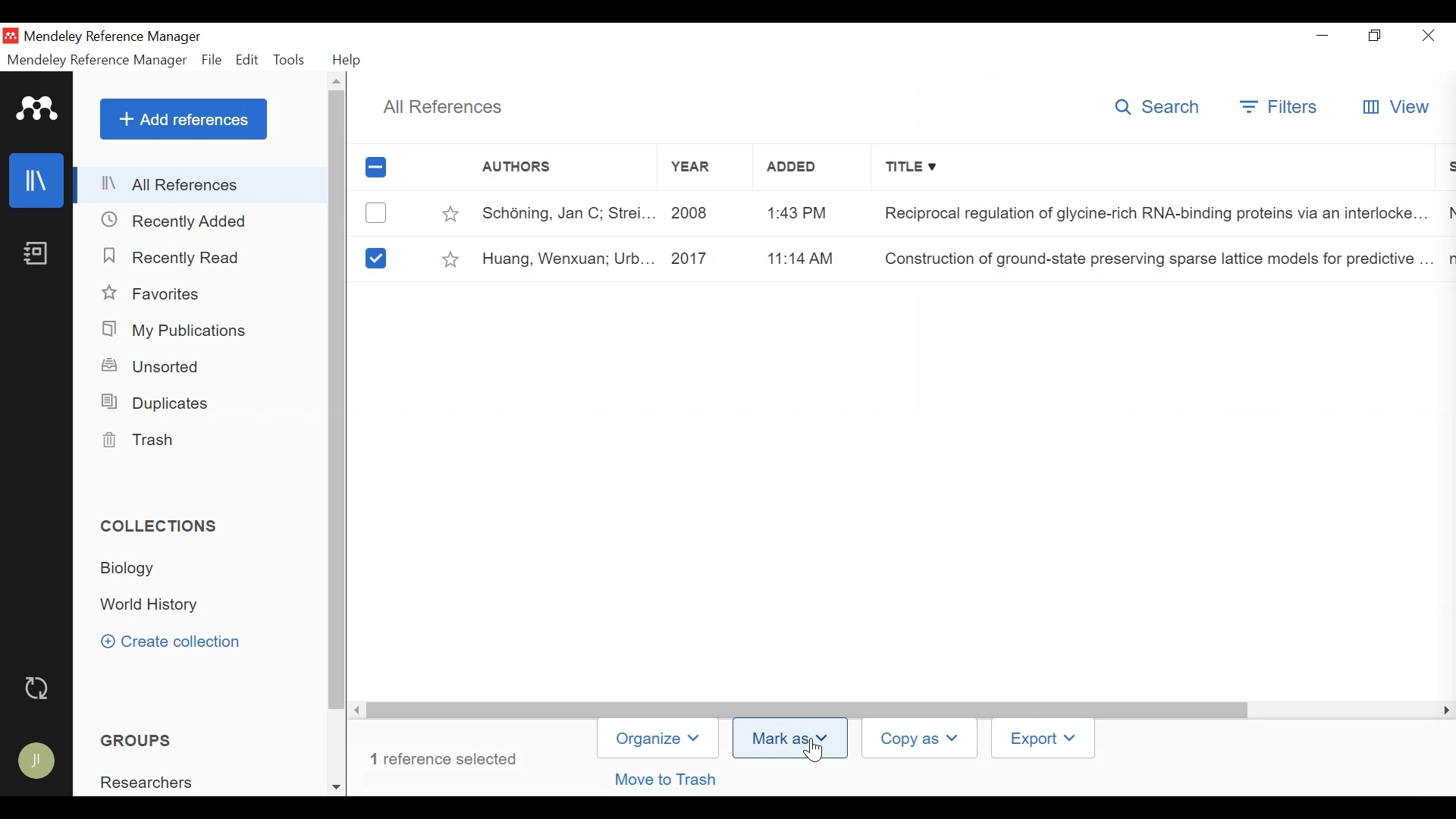 Image resolution: width=1456 pixels, height=819 pixels. What do you see at coordinates (184, 118) in the screenshot?
I see `Add References` at bounding box center [184, 118].